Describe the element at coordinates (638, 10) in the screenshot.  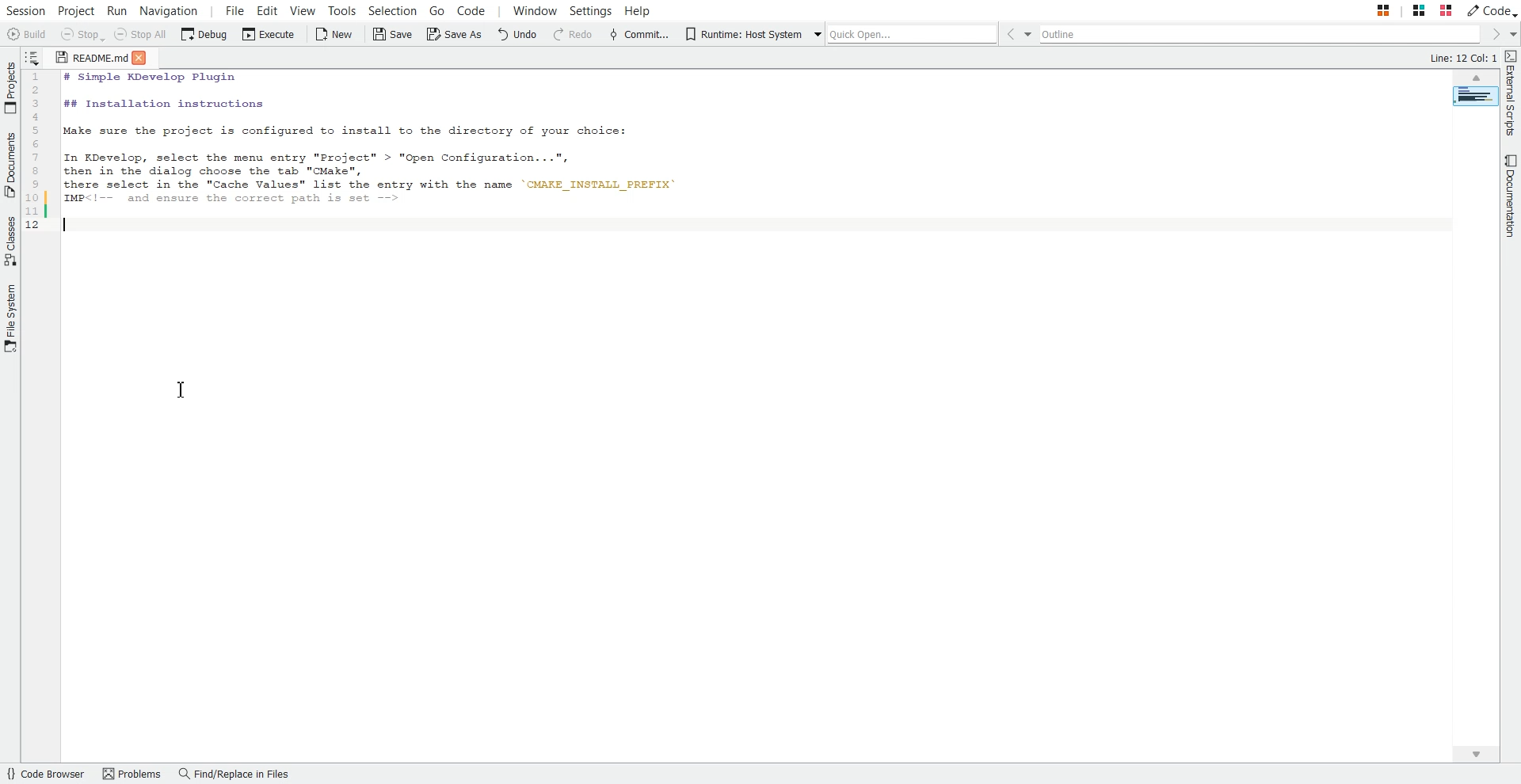
I see `Help` at that location.